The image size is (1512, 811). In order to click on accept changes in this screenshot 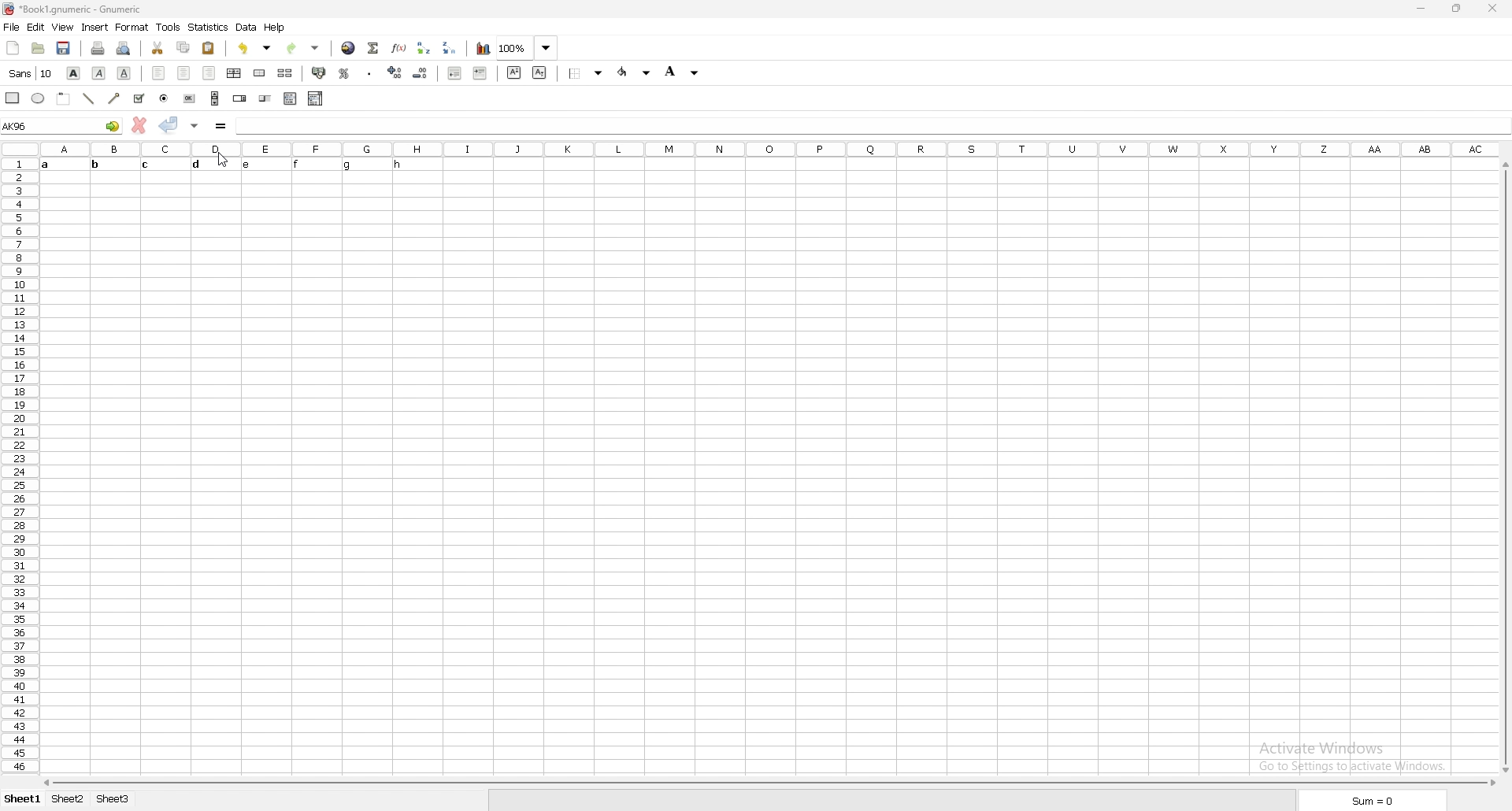, I will do `click(169, 124)`.